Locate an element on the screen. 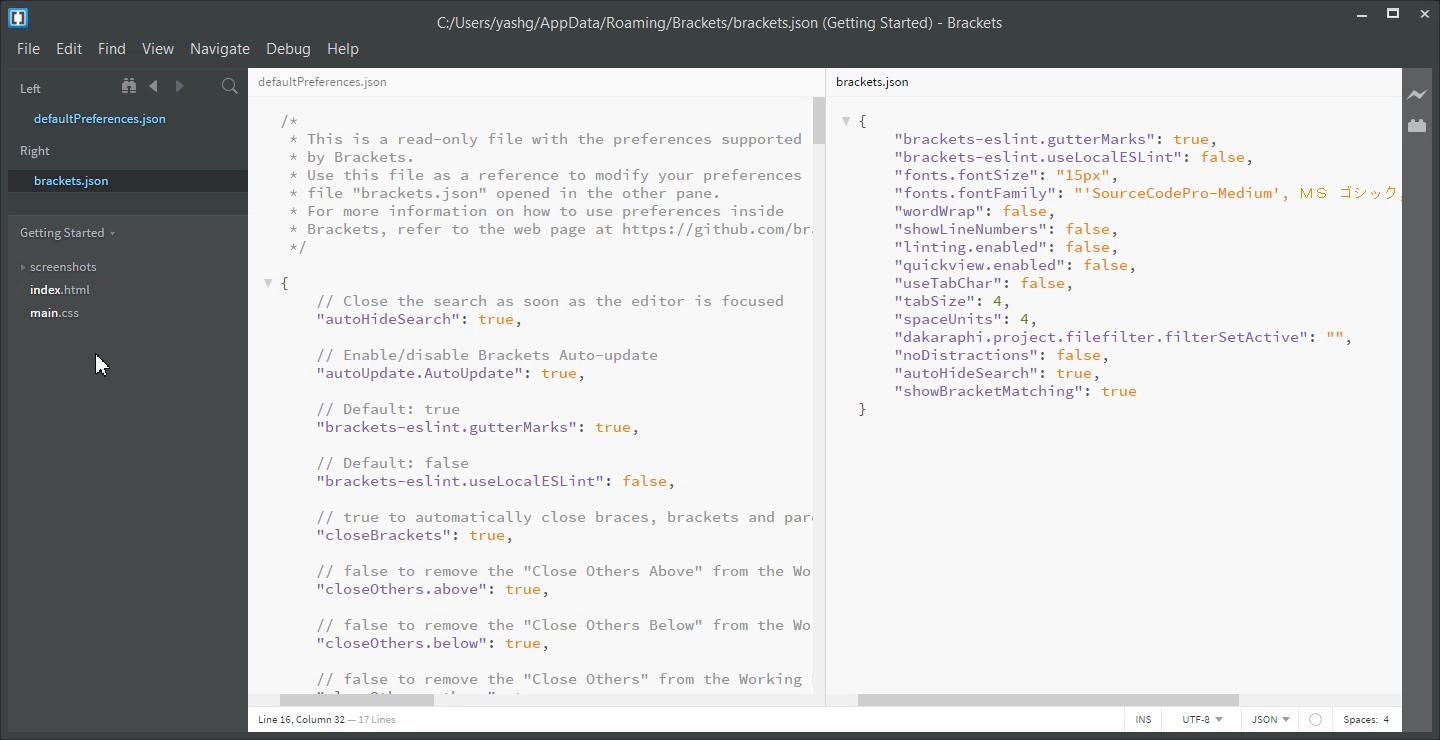 This screenshot has width=1440, height=740. Help is located at coordinates (345, 49).